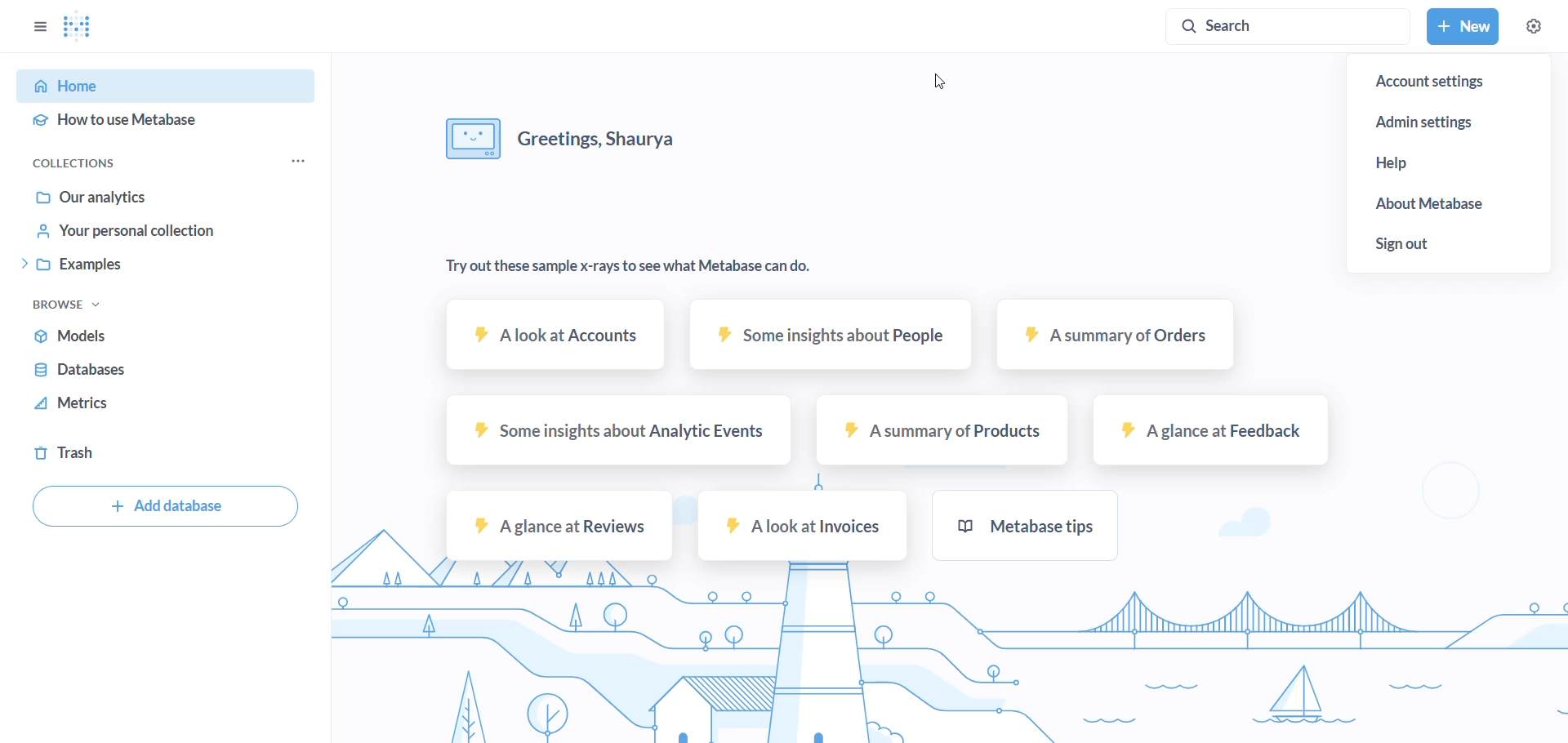 This screenshot has height=743, width=1568. Describe the element at coordinates (1398, 243) in the screenshot. I see `sign out` at that location.